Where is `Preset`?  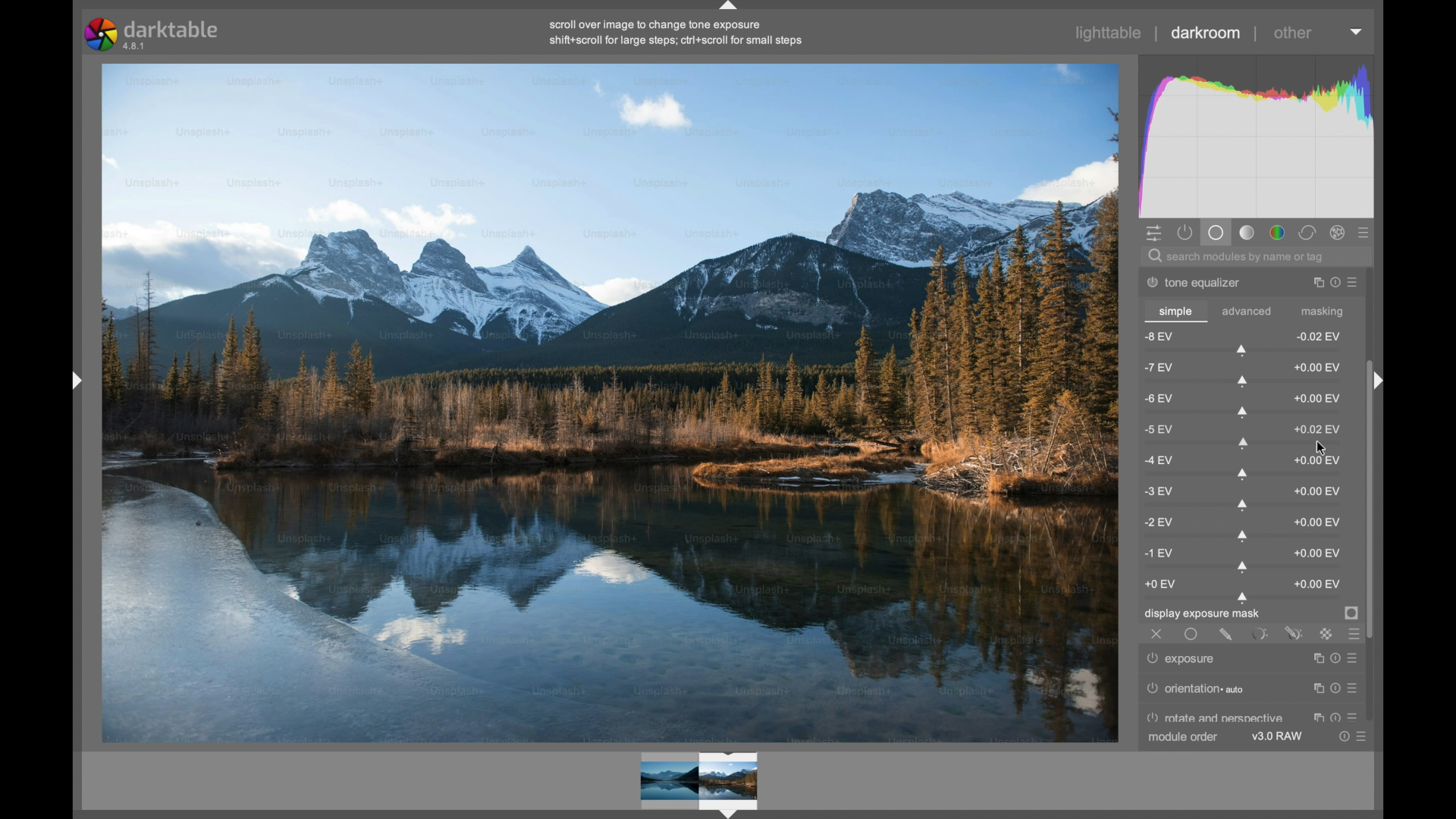
Preset is located at coordinates (1356, 674).